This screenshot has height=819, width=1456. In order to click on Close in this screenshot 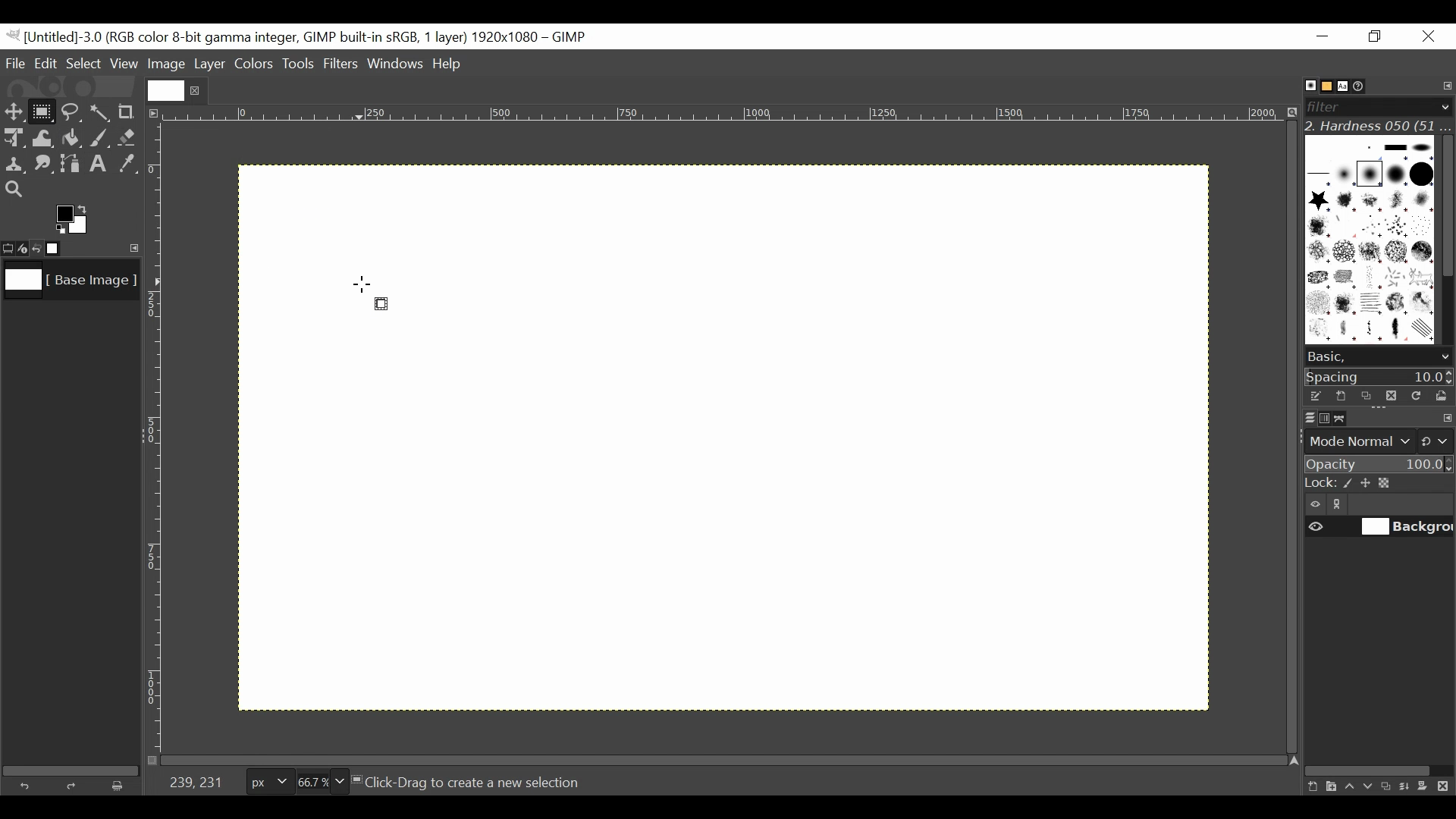, I will do `click(1427, 37)`.